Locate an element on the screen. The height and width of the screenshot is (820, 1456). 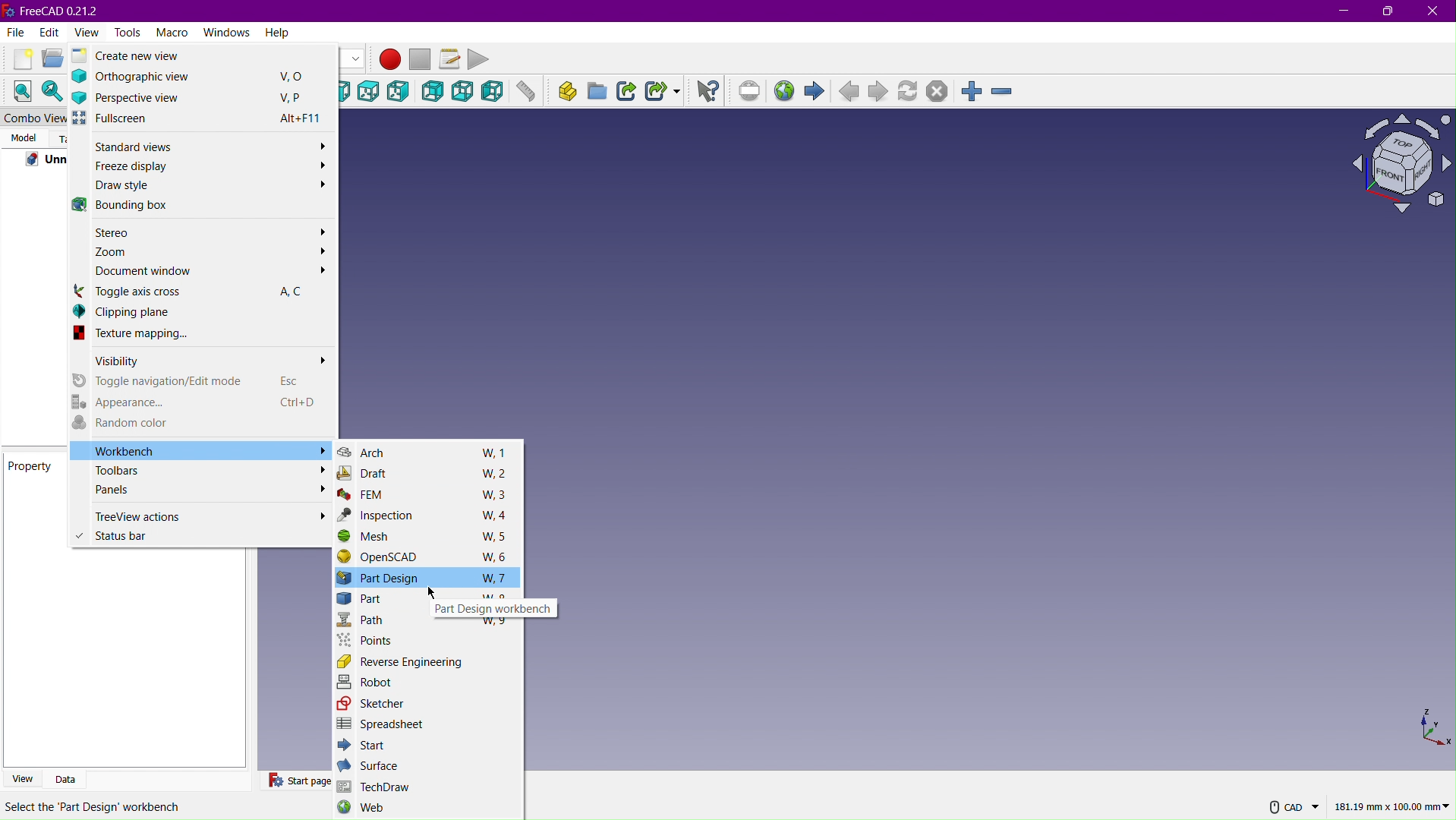
Left is located at coordinates (495, 93).